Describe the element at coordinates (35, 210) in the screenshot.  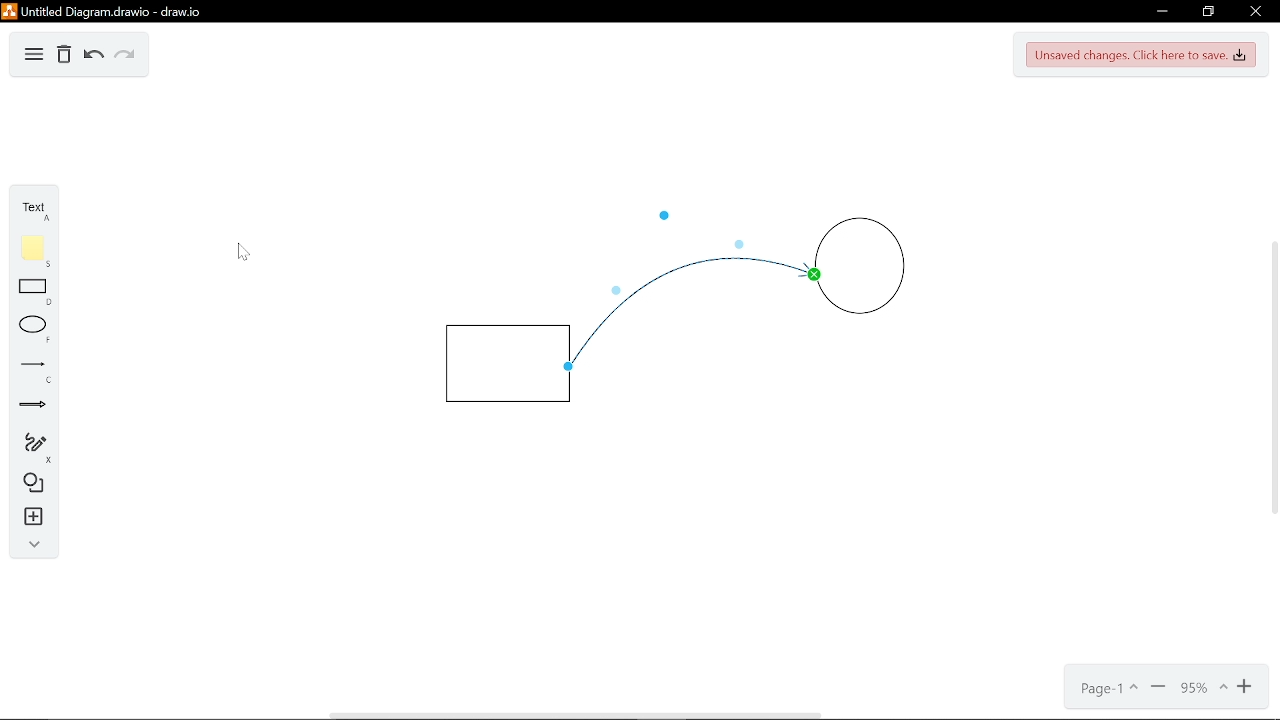
I see `Text` at that location.